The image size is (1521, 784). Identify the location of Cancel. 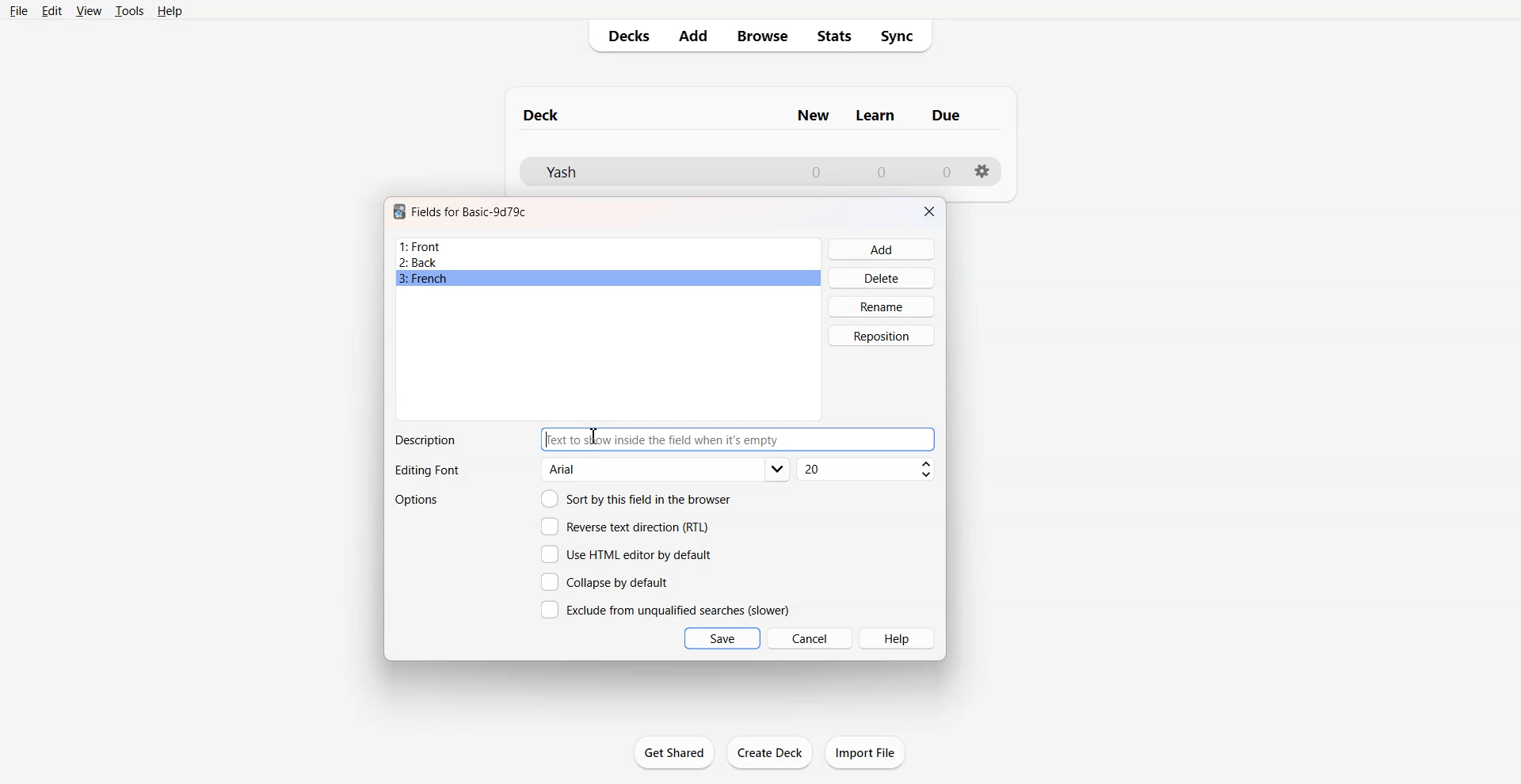
(810, 637).